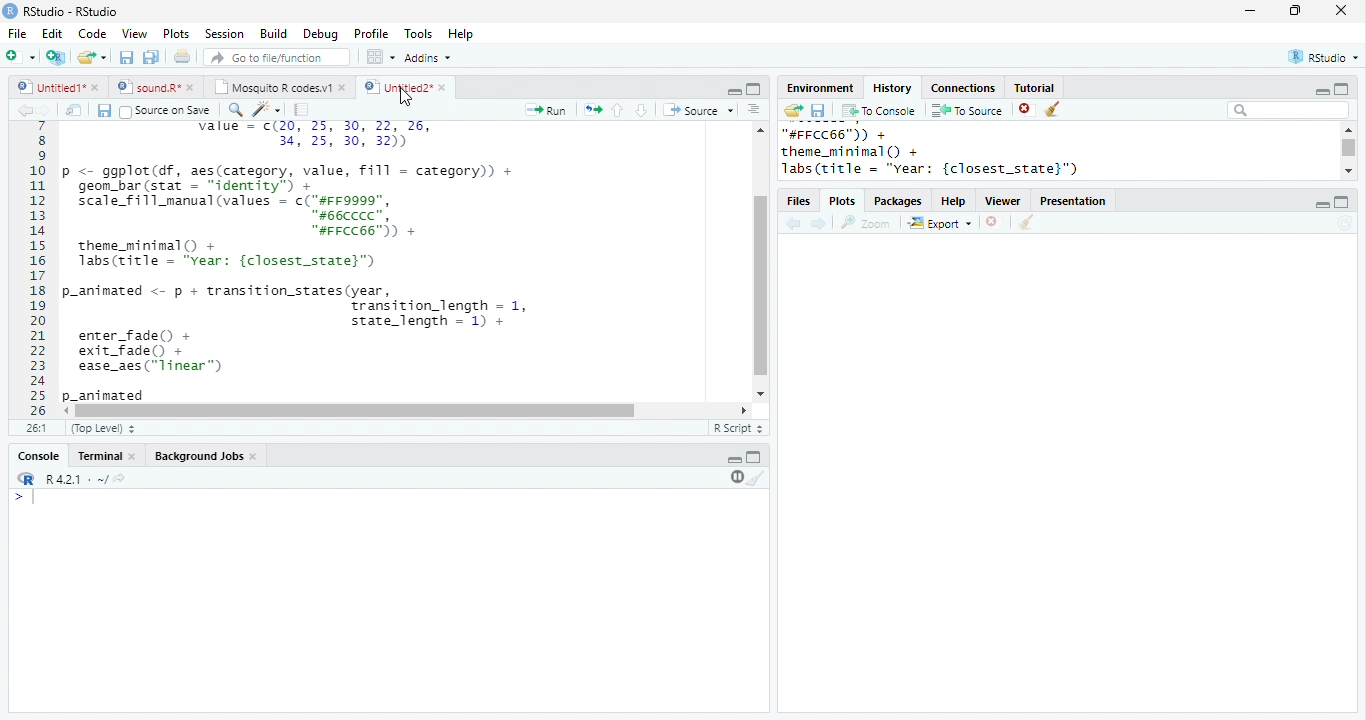 Image resolution: width=1366 pixels, height=720 pixels. I want to click on minimize, so click(734, 460).